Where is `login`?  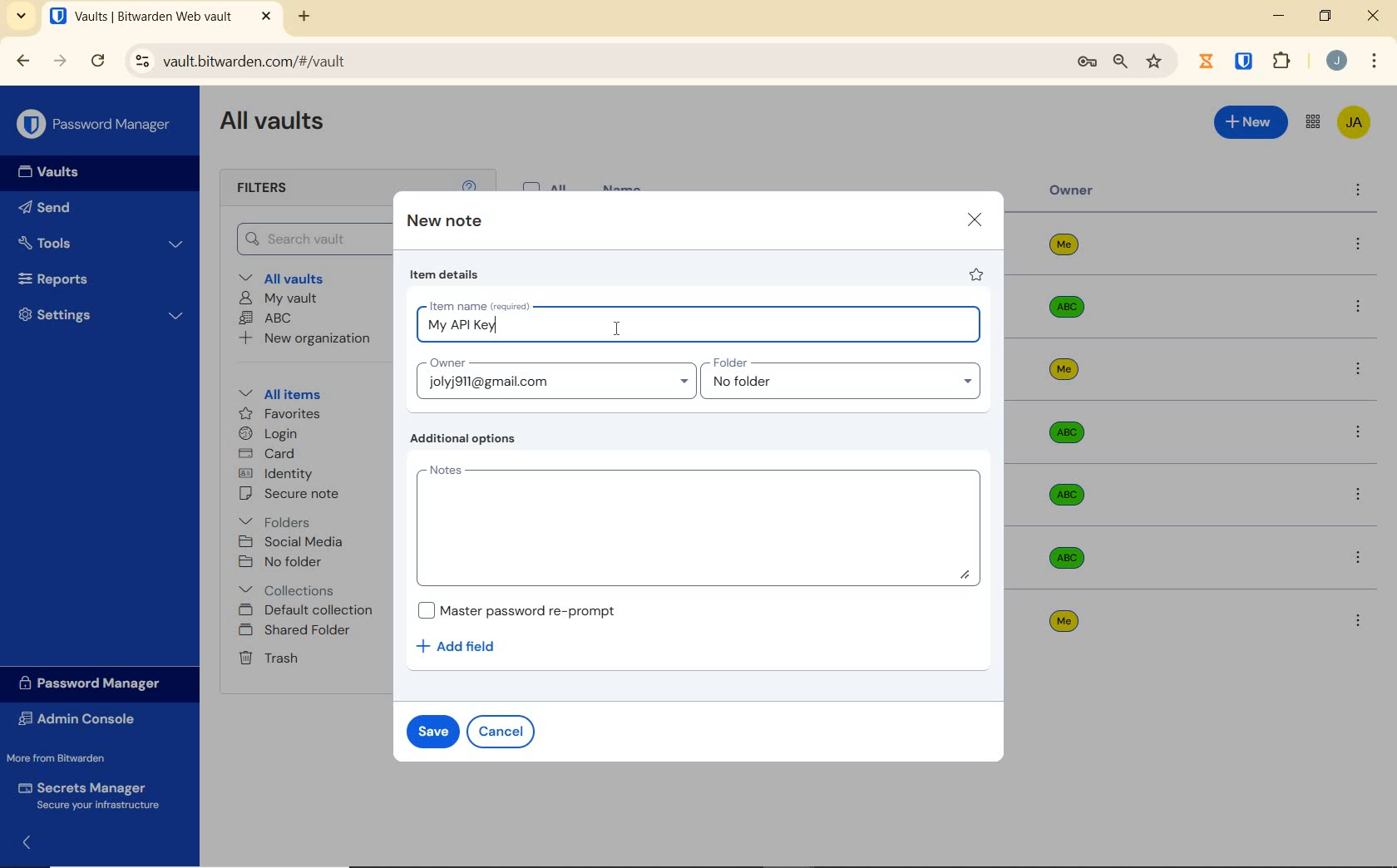 login is located at coordinates (272, 435).